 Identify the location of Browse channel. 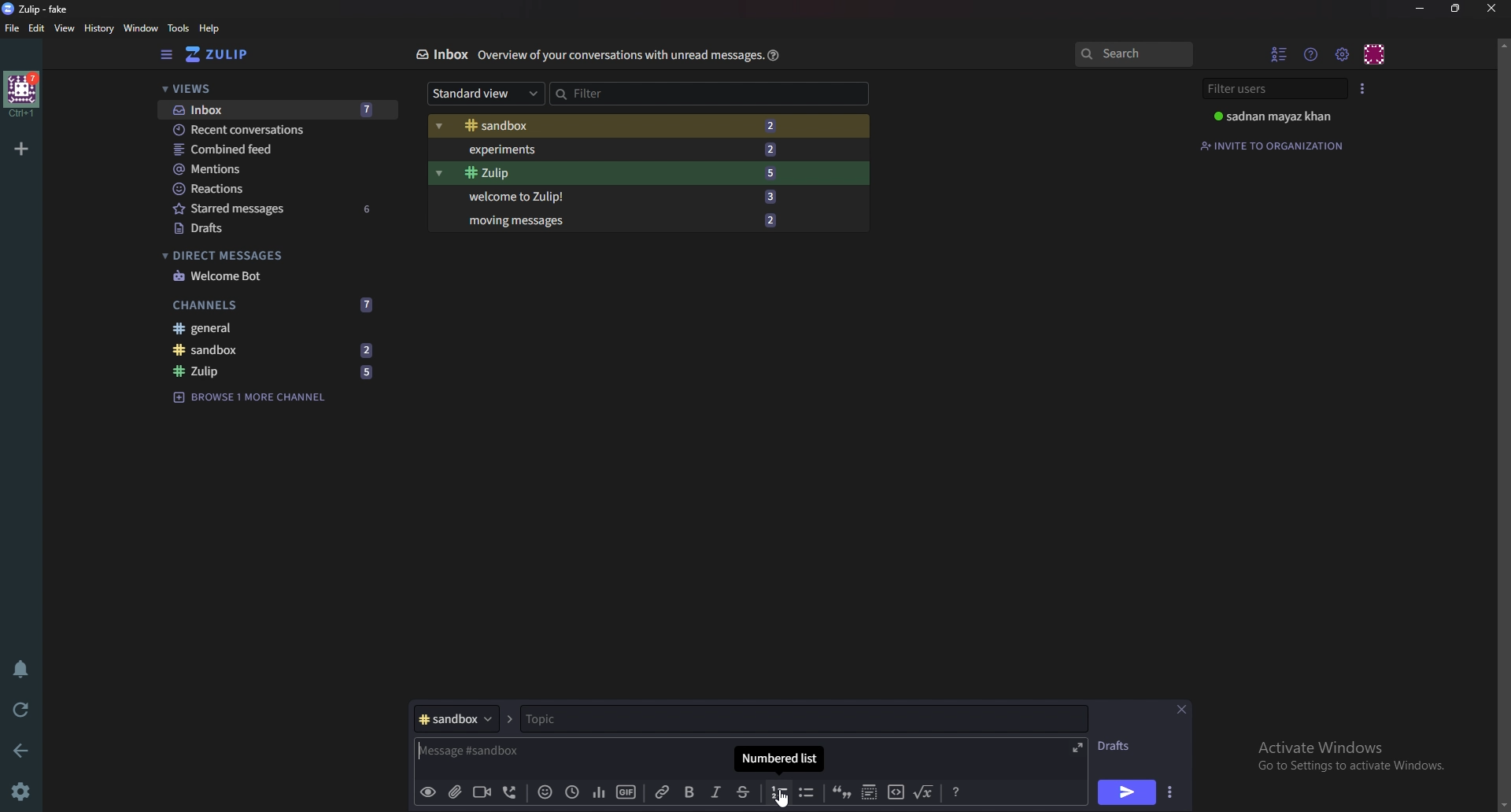
(258, 396).